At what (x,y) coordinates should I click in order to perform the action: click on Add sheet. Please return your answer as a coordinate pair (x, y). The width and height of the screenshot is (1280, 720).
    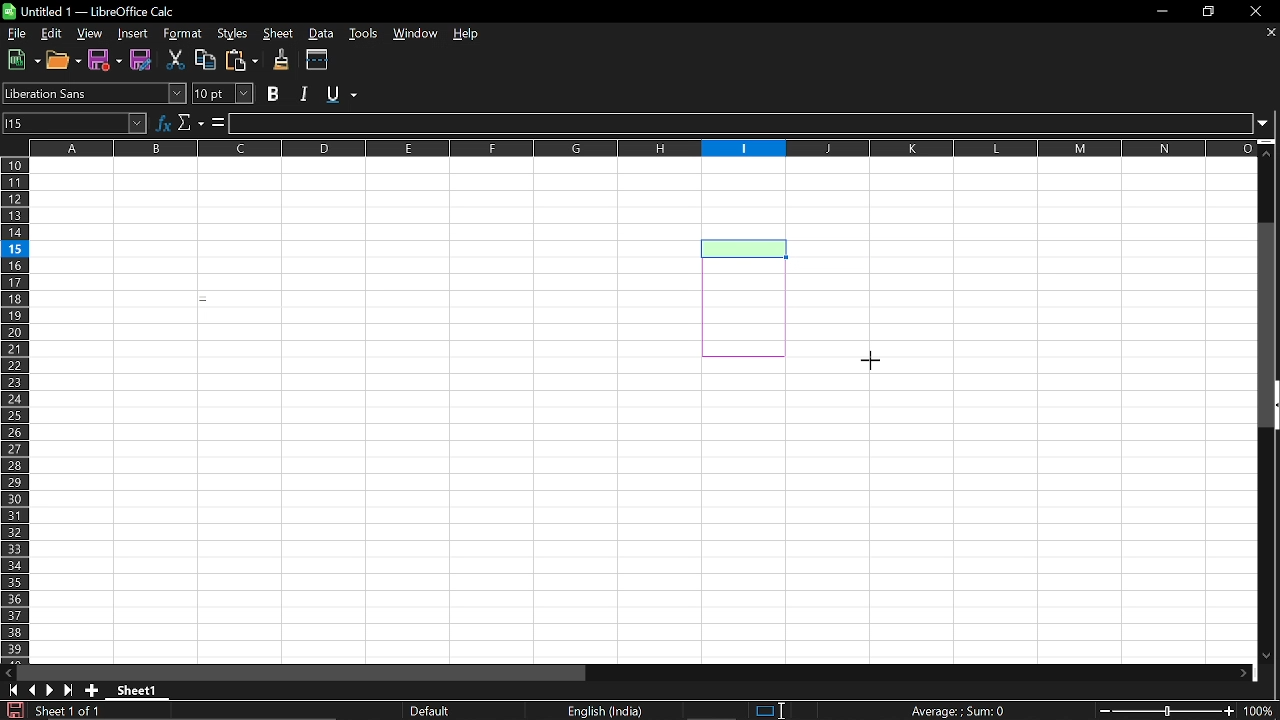
    Looking at the image, I should click on (93, 691).